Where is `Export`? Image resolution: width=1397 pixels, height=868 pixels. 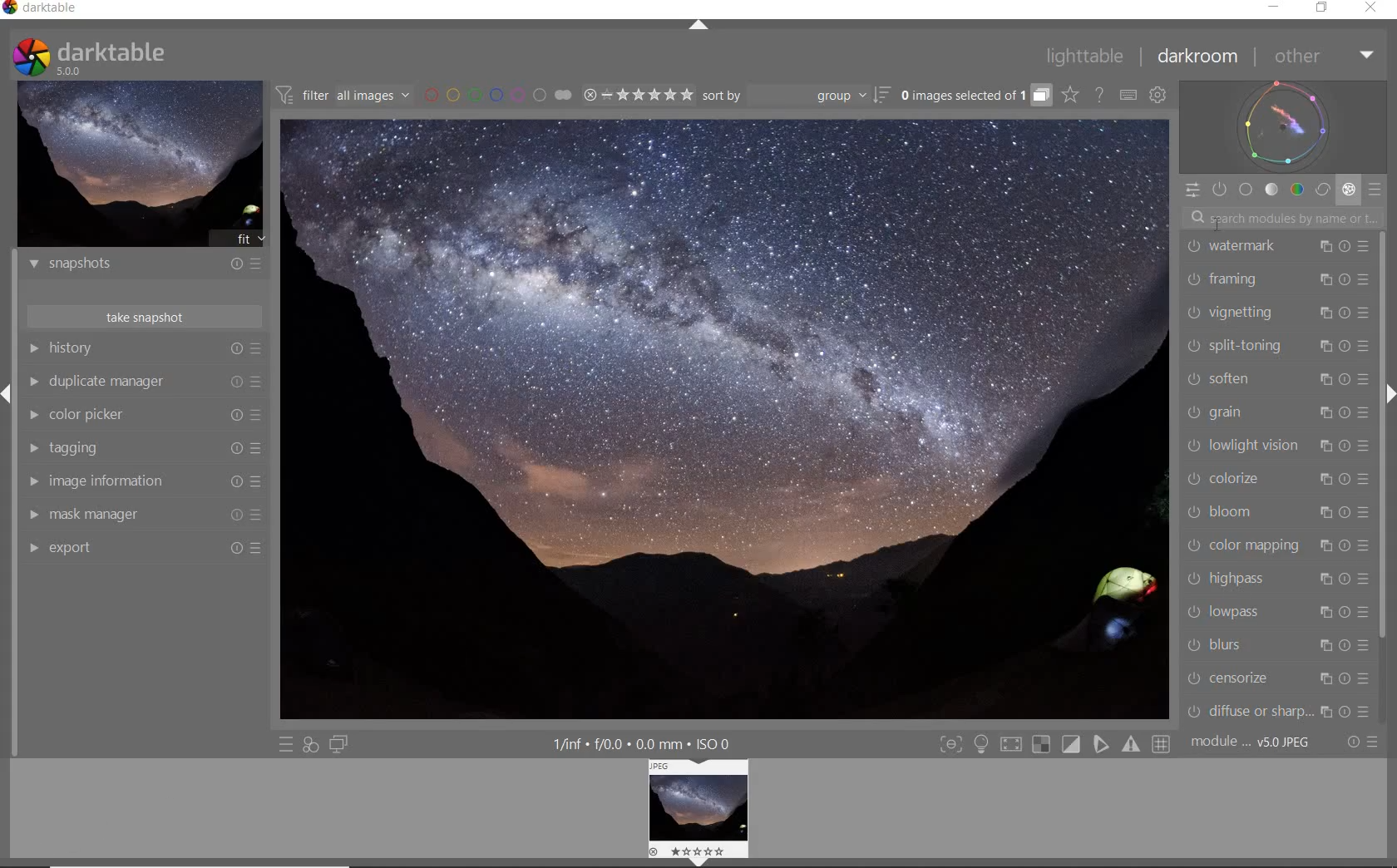 Export is located at coordinates (72, 548).